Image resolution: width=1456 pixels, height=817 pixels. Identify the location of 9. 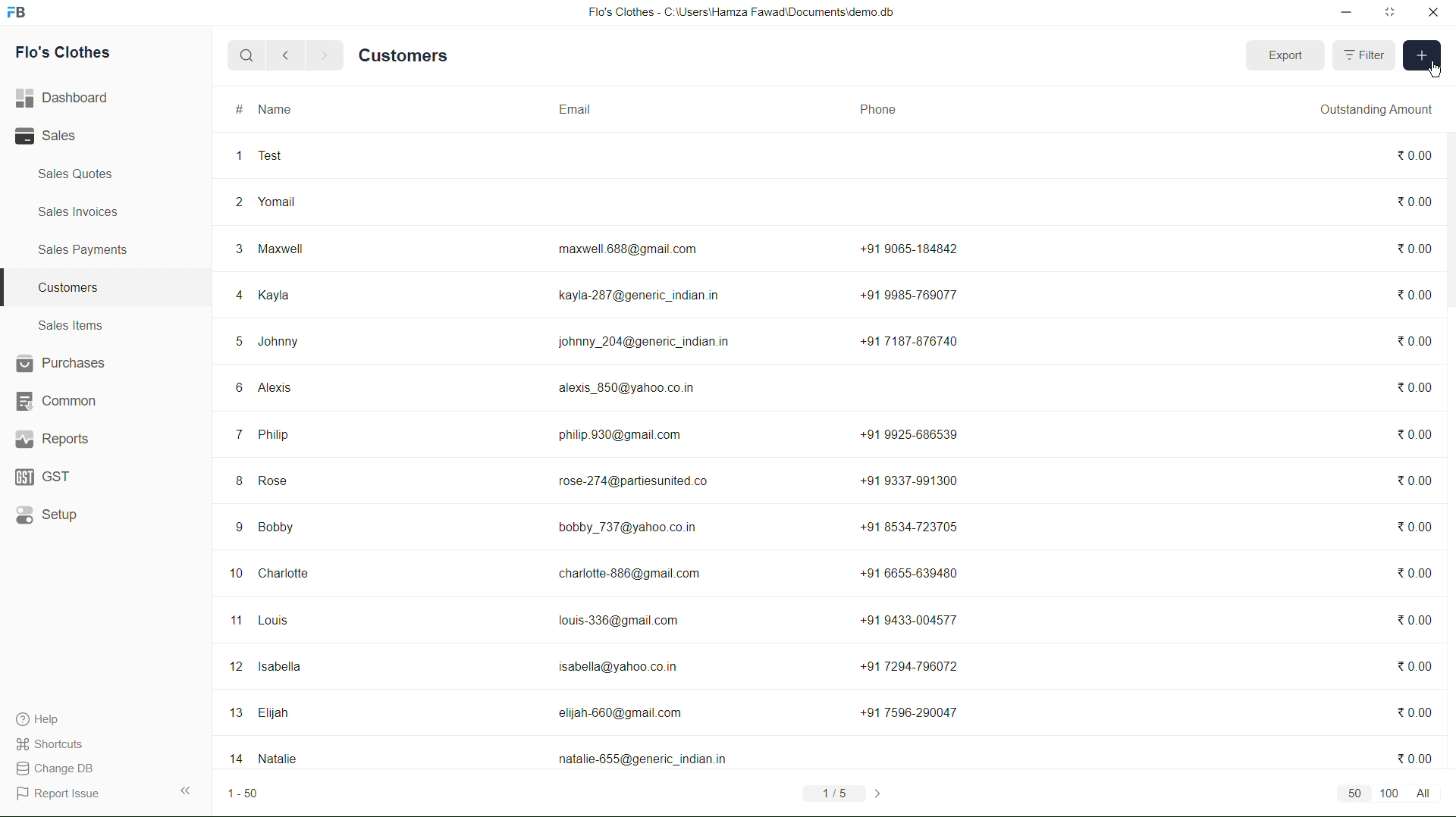
(239, 527).